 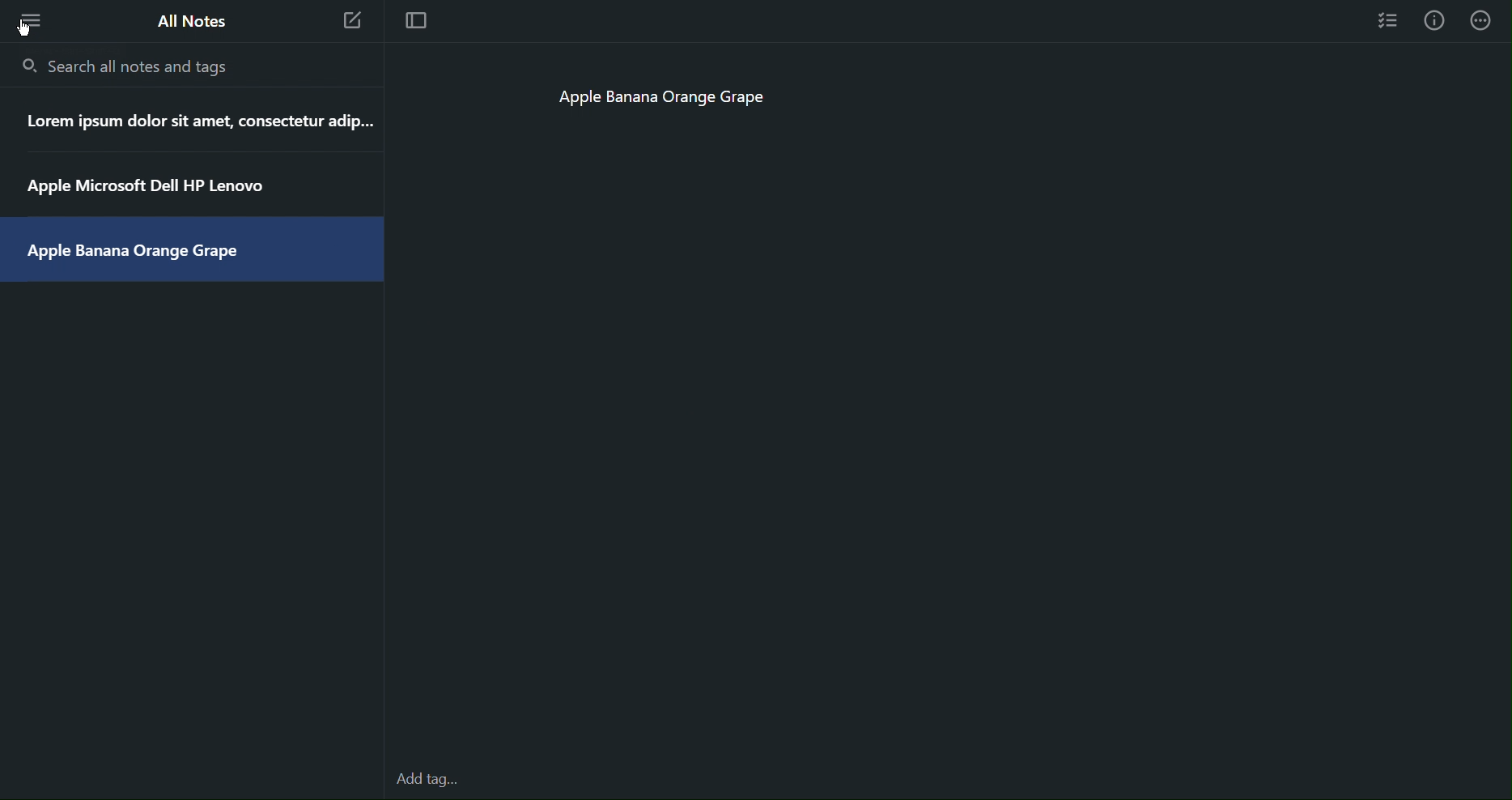 I want to click on Search all notes and tags, so click(x=130, y=66).